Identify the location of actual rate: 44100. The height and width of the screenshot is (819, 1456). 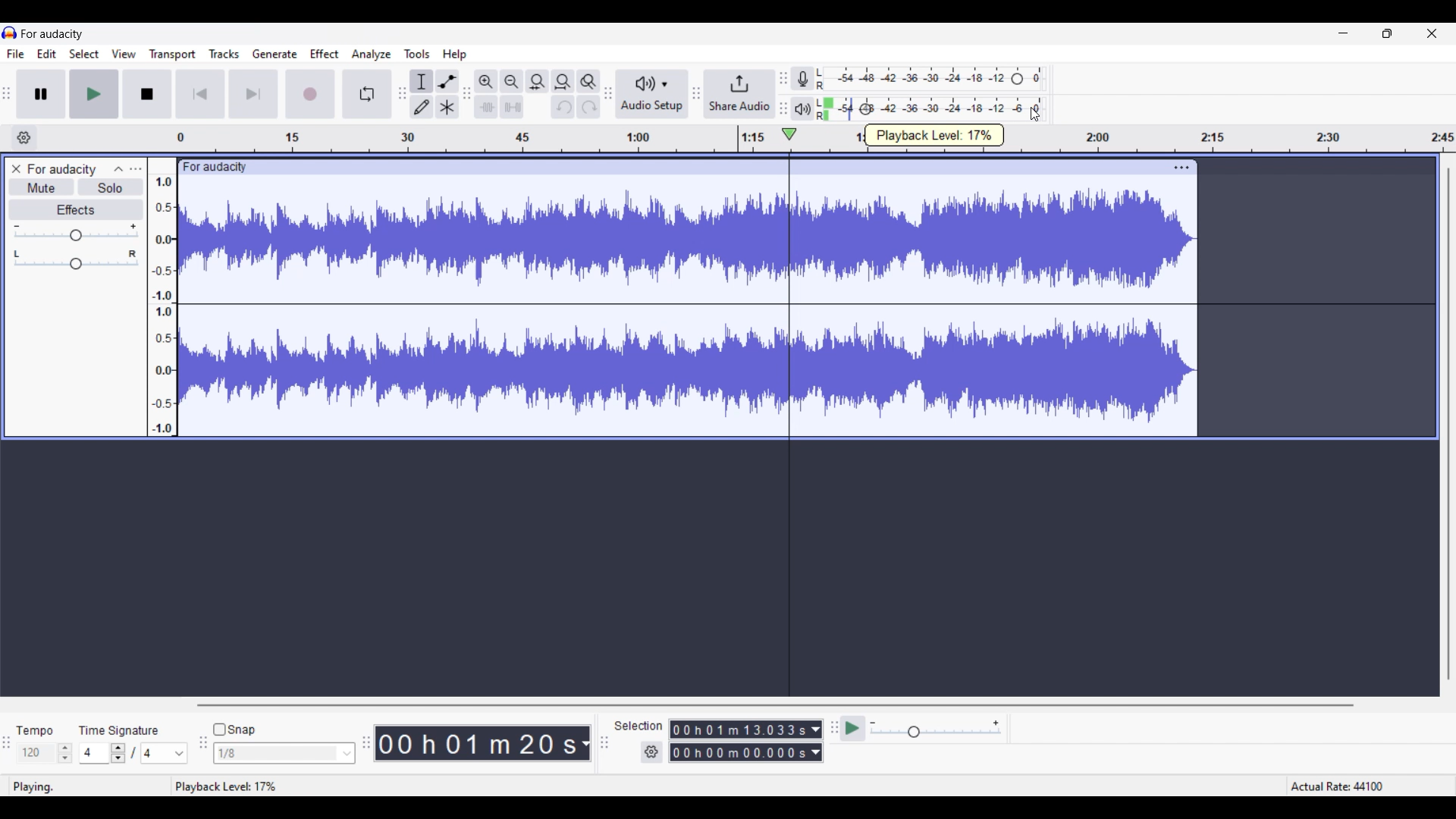
(1336, 785).